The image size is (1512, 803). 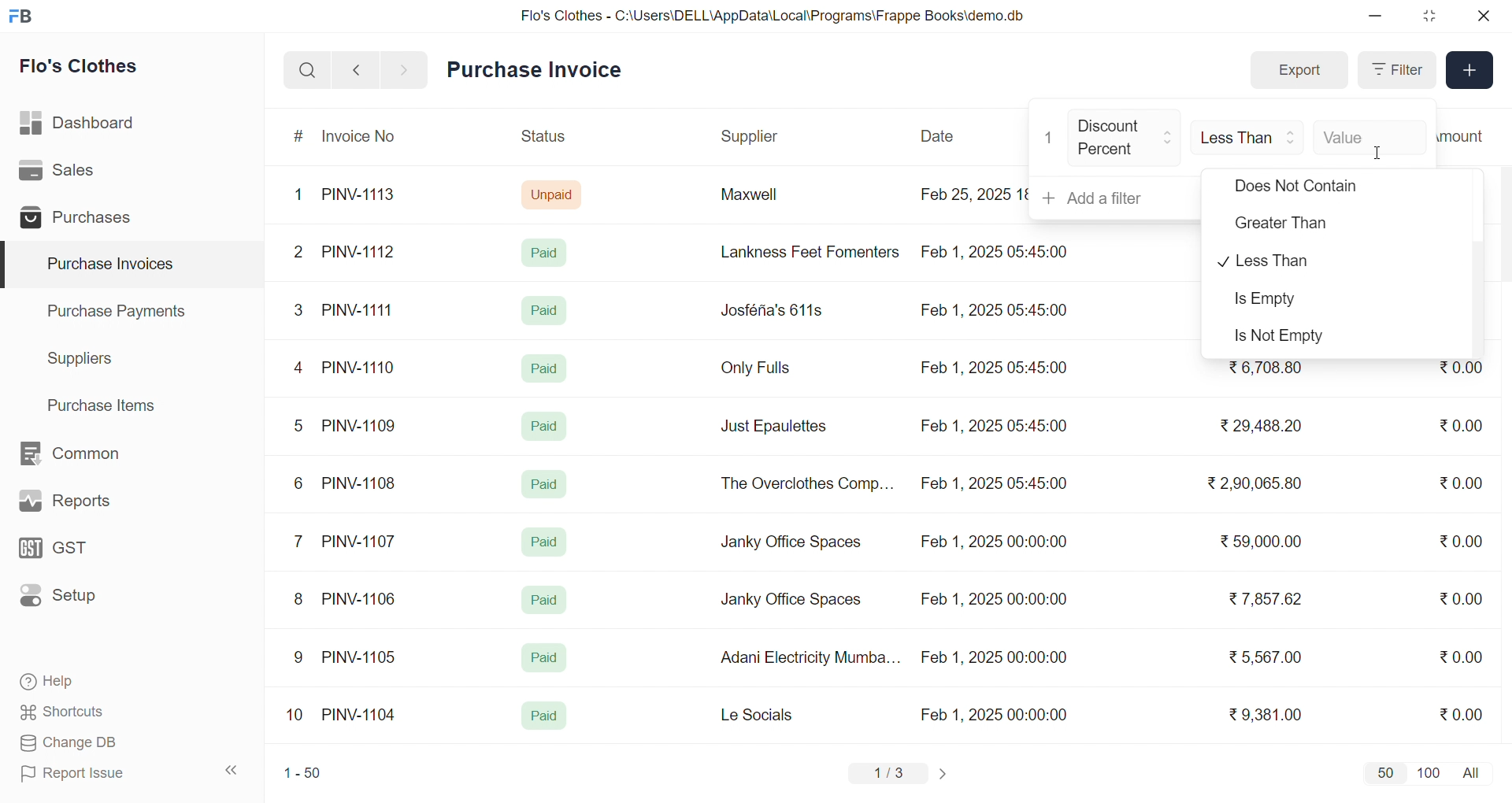 I want to click on 4, so click(x=302, y=368).